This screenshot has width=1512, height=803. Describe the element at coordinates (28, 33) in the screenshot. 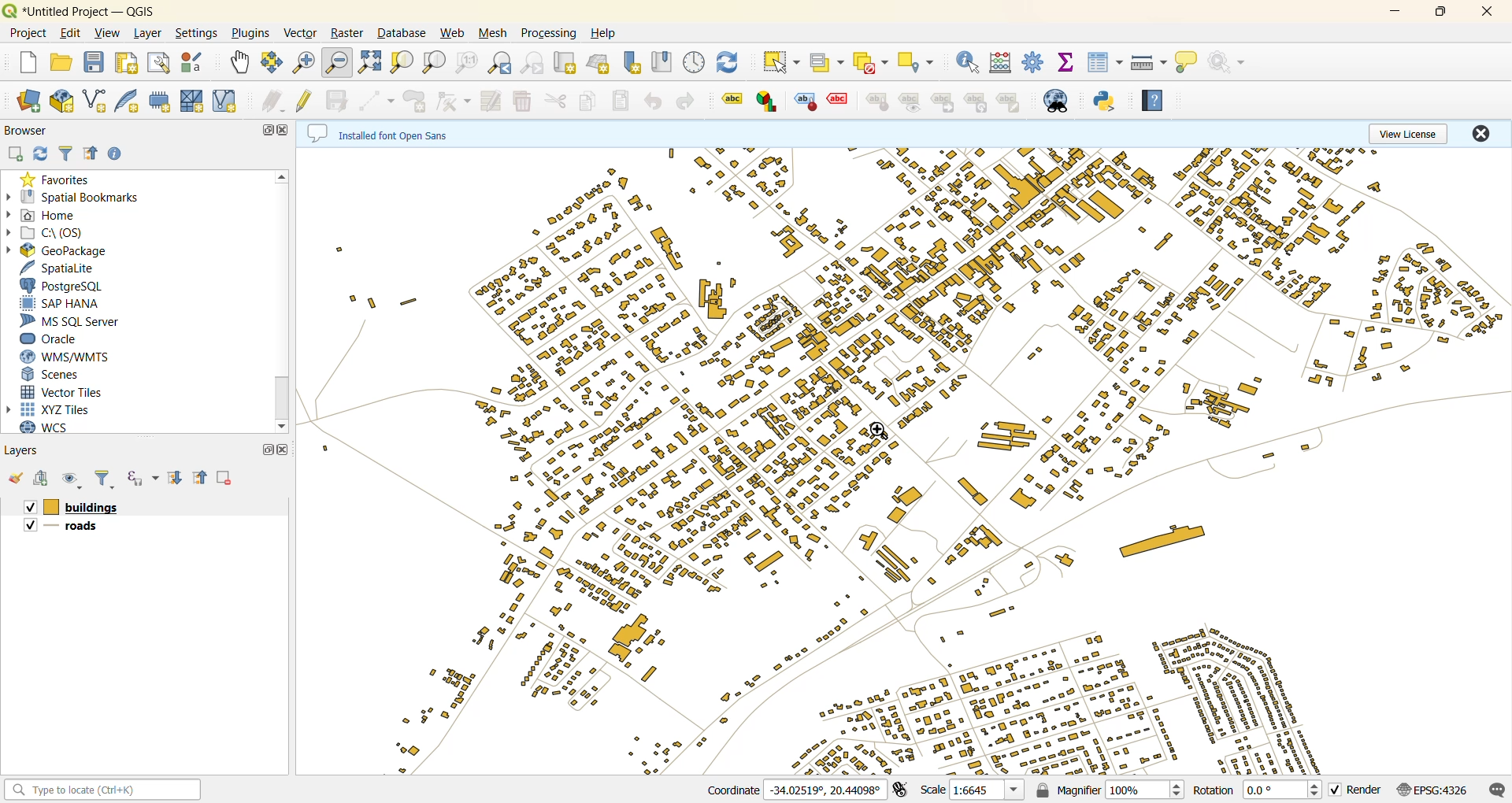

I see `project` at that location.